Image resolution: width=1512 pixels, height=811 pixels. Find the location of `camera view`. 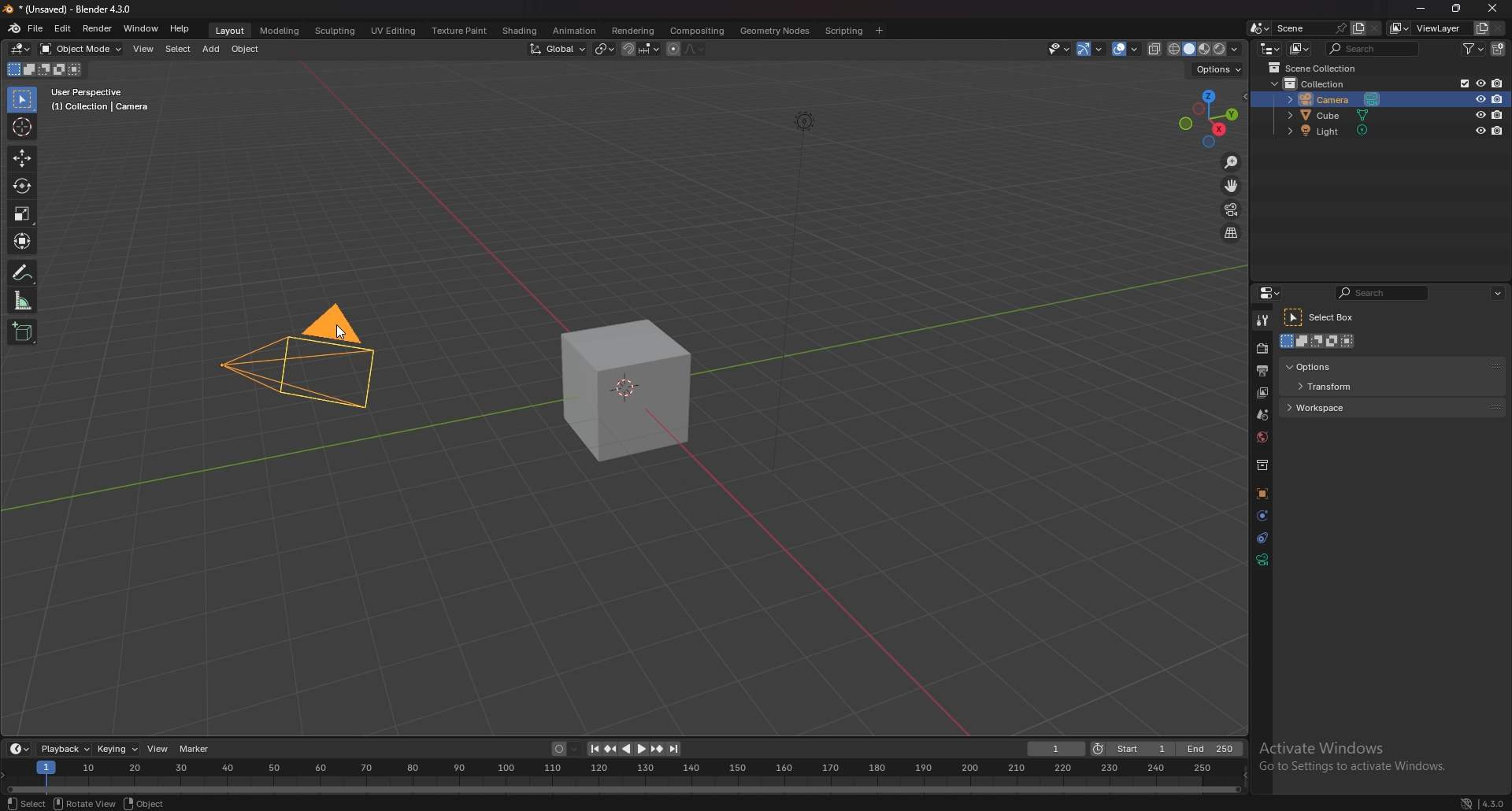

camera view is located at coordinates (1232, 209).